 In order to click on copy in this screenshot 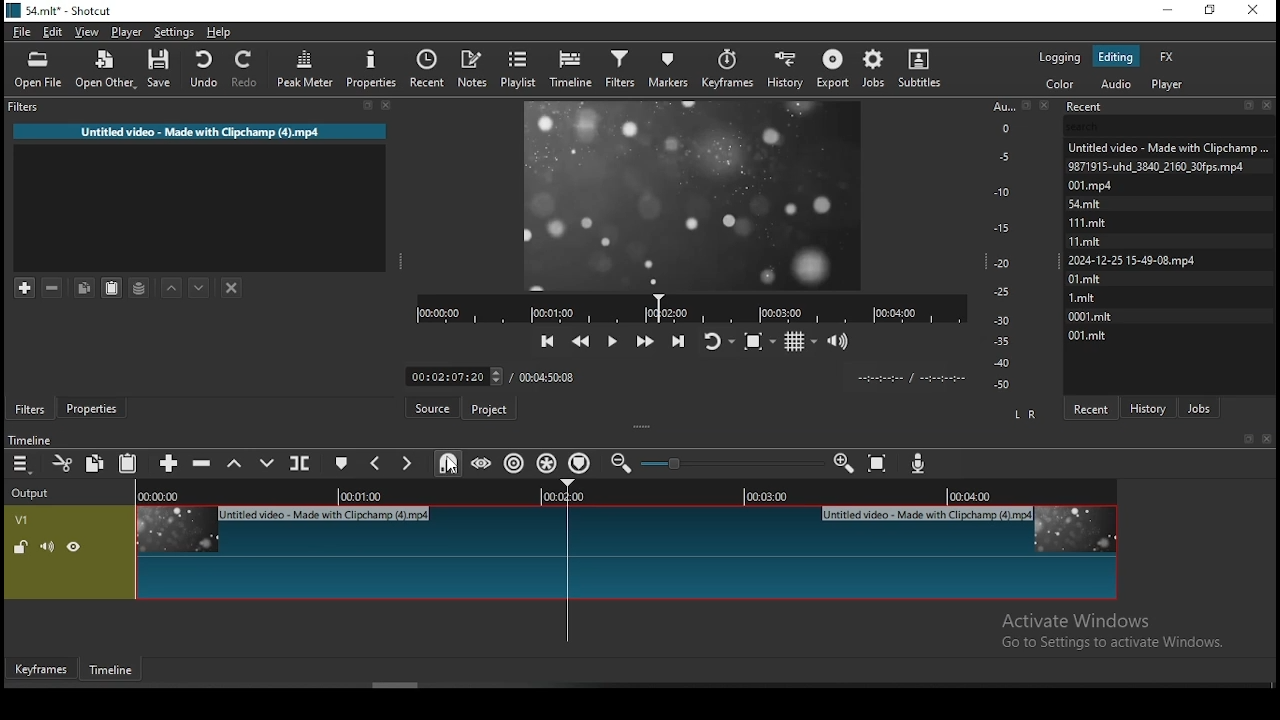, I will do `click(97, 462)`.